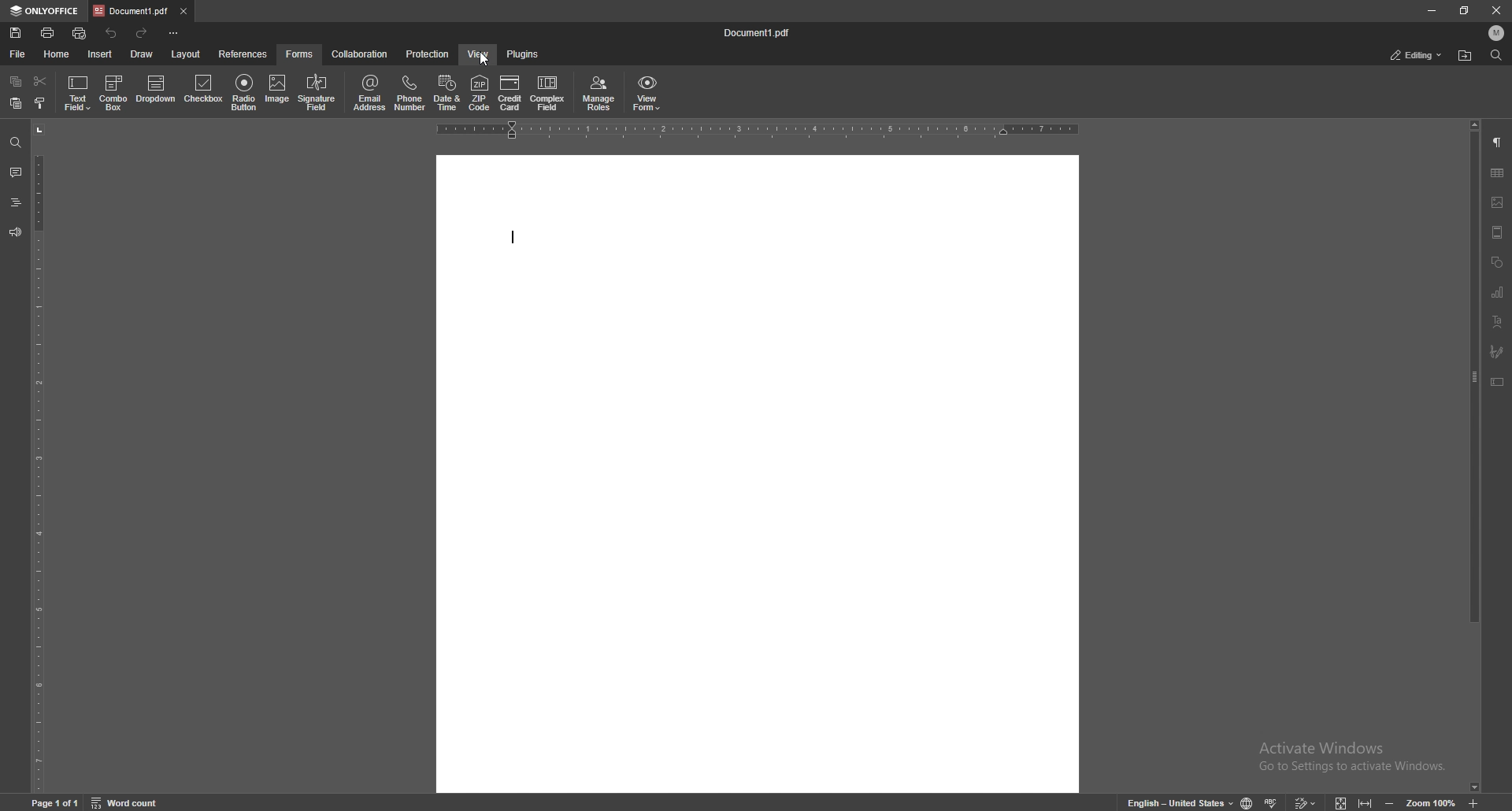 The height and width of the screenshot is (811, 1512). Describe the element at coordinates (1498, 144) in the screenshot. I see `paragraph` at that location.